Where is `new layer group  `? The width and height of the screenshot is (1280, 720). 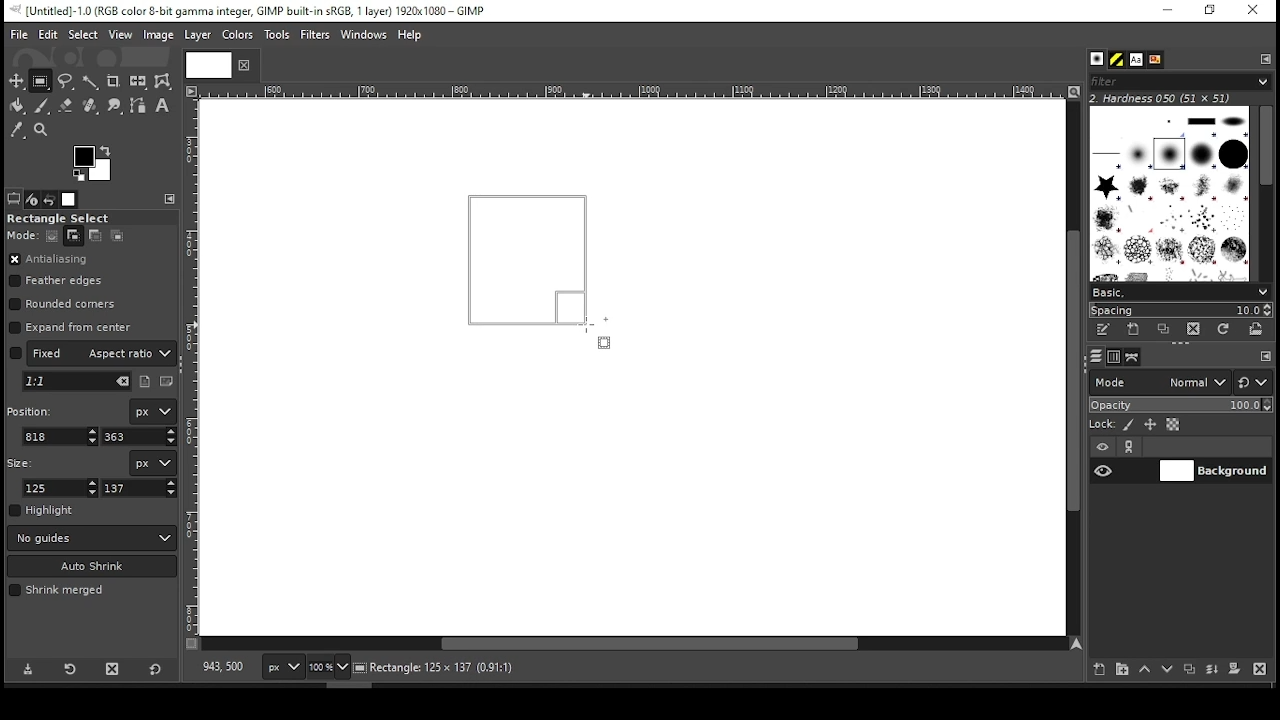
new layer group   is located at coordinates (1121, 669).